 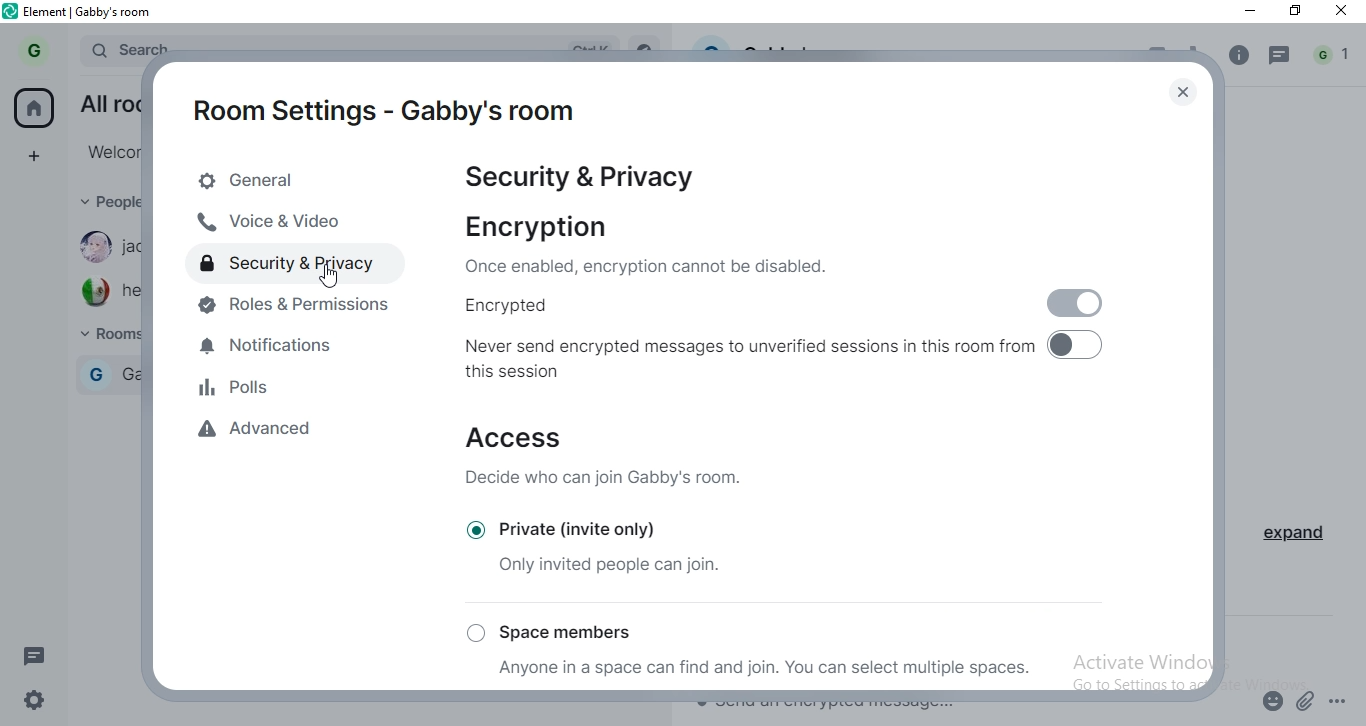 I want to click on Only invited people can join., so click(x=611, y=564).